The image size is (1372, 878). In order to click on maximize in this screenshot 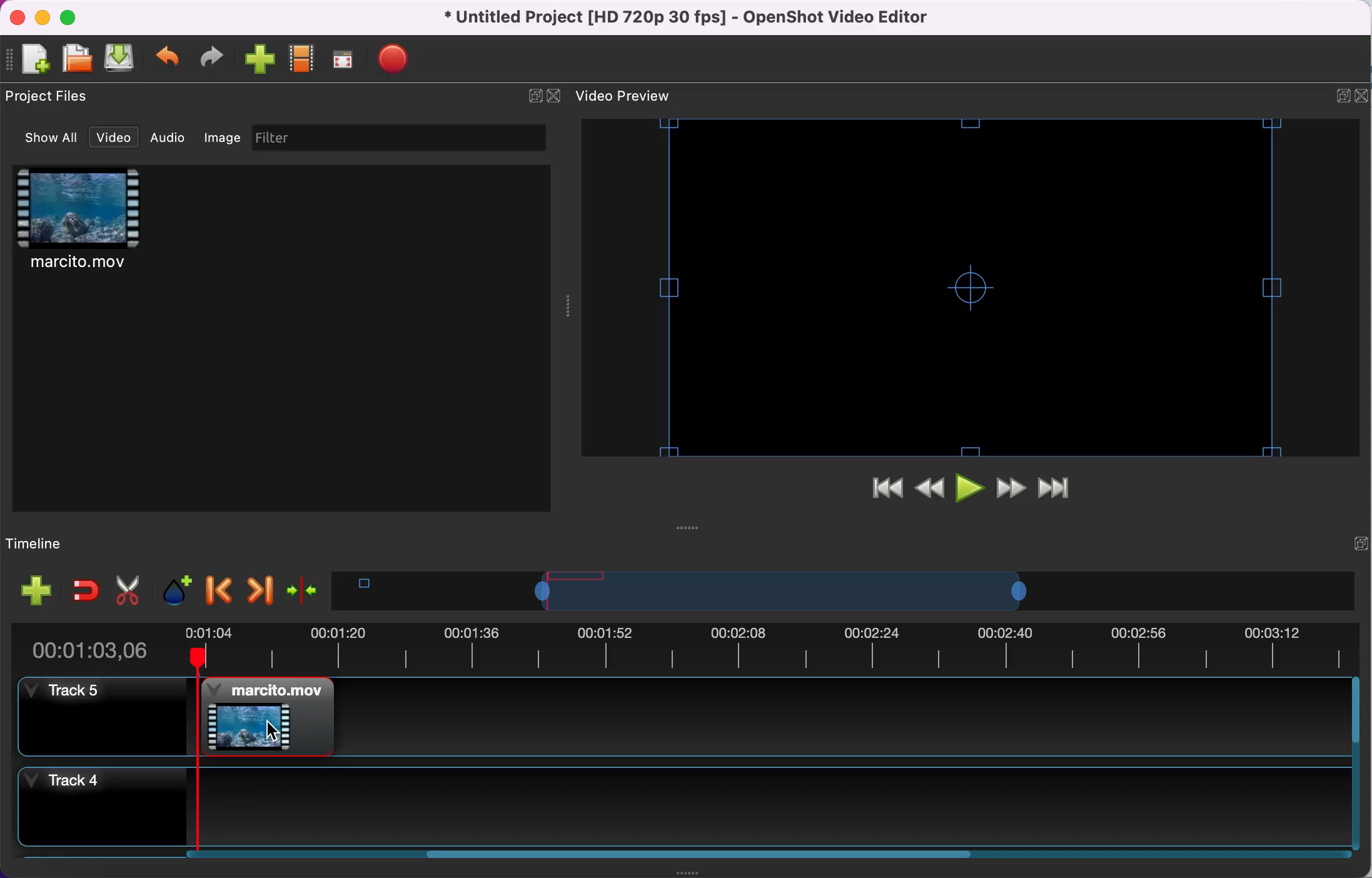, I will do `click(72, 17)`.